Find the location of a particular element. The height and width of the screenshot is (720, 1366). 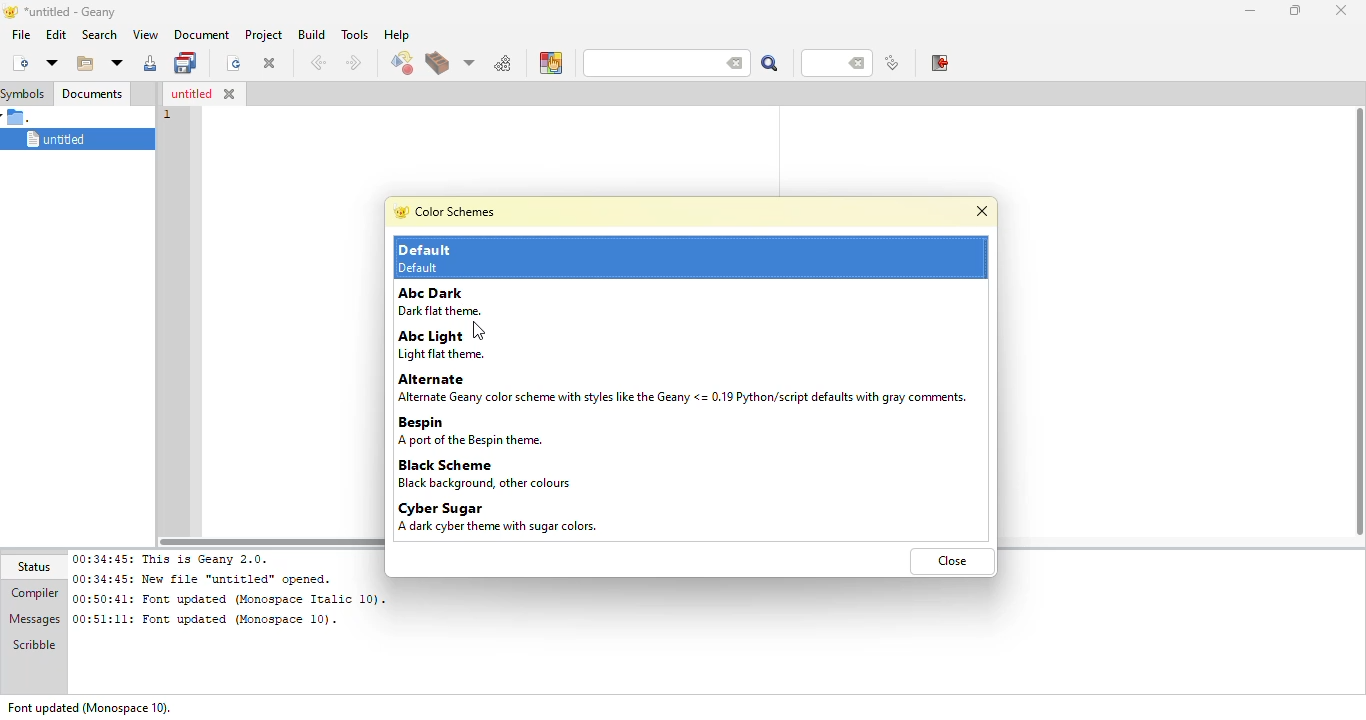

tools is located at coordinates (355, 34).